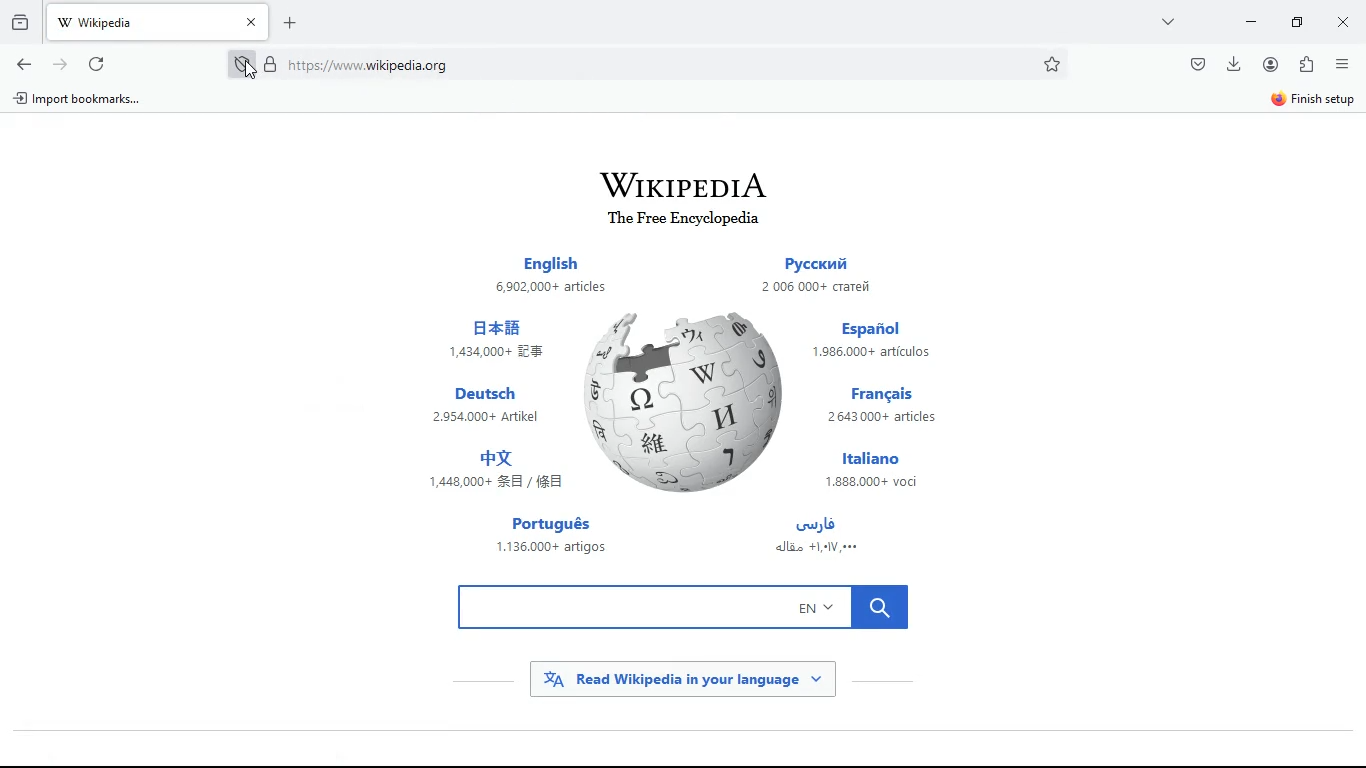 The width and height of the screenshot is (1366, 768). What do you see at coordinates (63, 63) in the screenshot?
I see `forward` at bounding box center [63, 63].